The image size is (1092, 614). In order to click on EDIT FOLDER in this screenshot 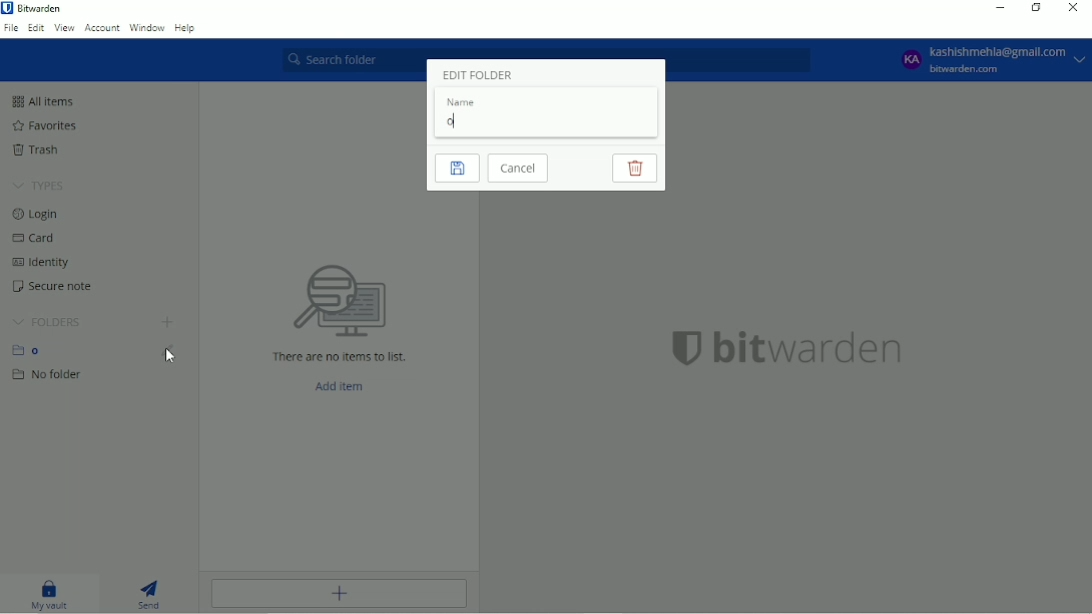, I will do `click(476, 74)`.